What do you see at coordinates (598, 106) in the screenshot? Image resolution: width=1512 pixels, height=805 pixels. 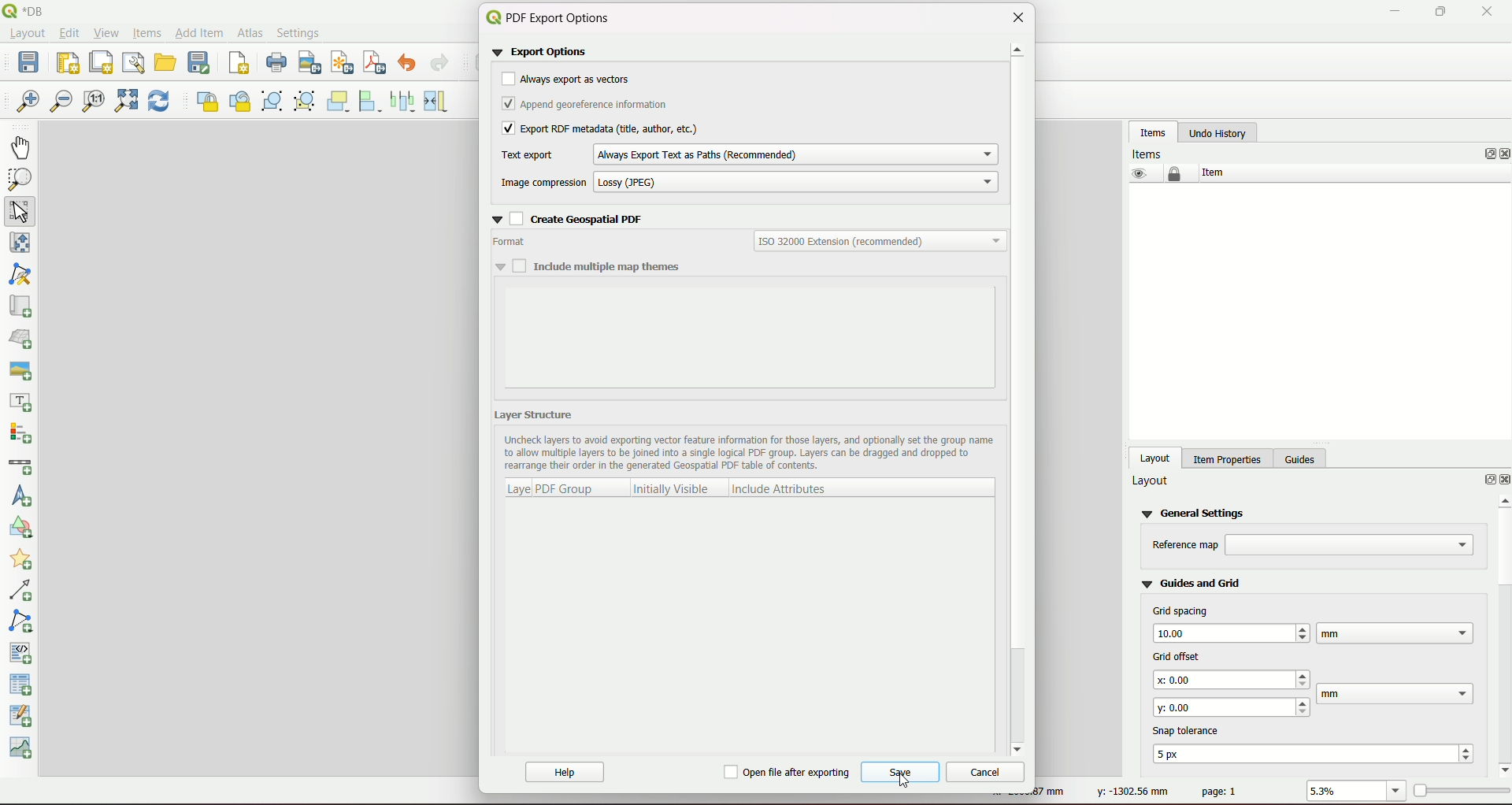 I see `Append georeference` at bounding box center [598, 106].